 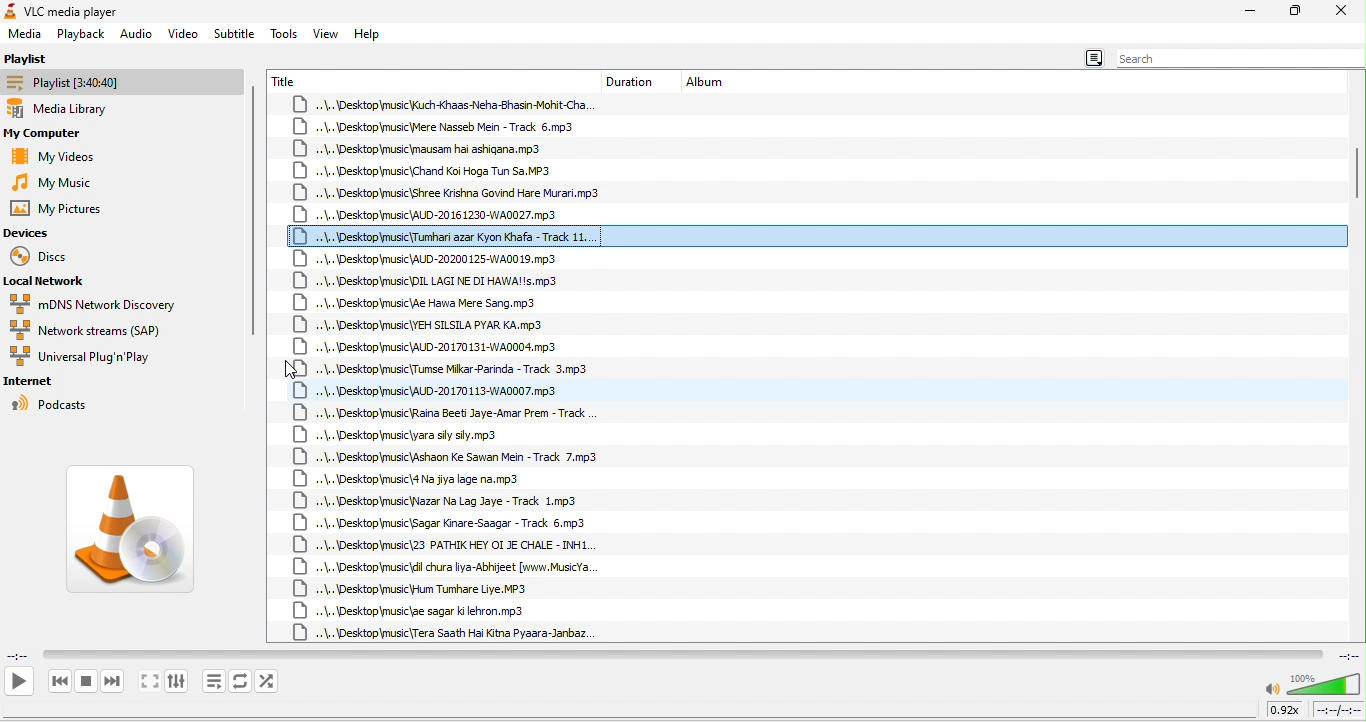 I want to click on video playback, so click(x=682, y=654).